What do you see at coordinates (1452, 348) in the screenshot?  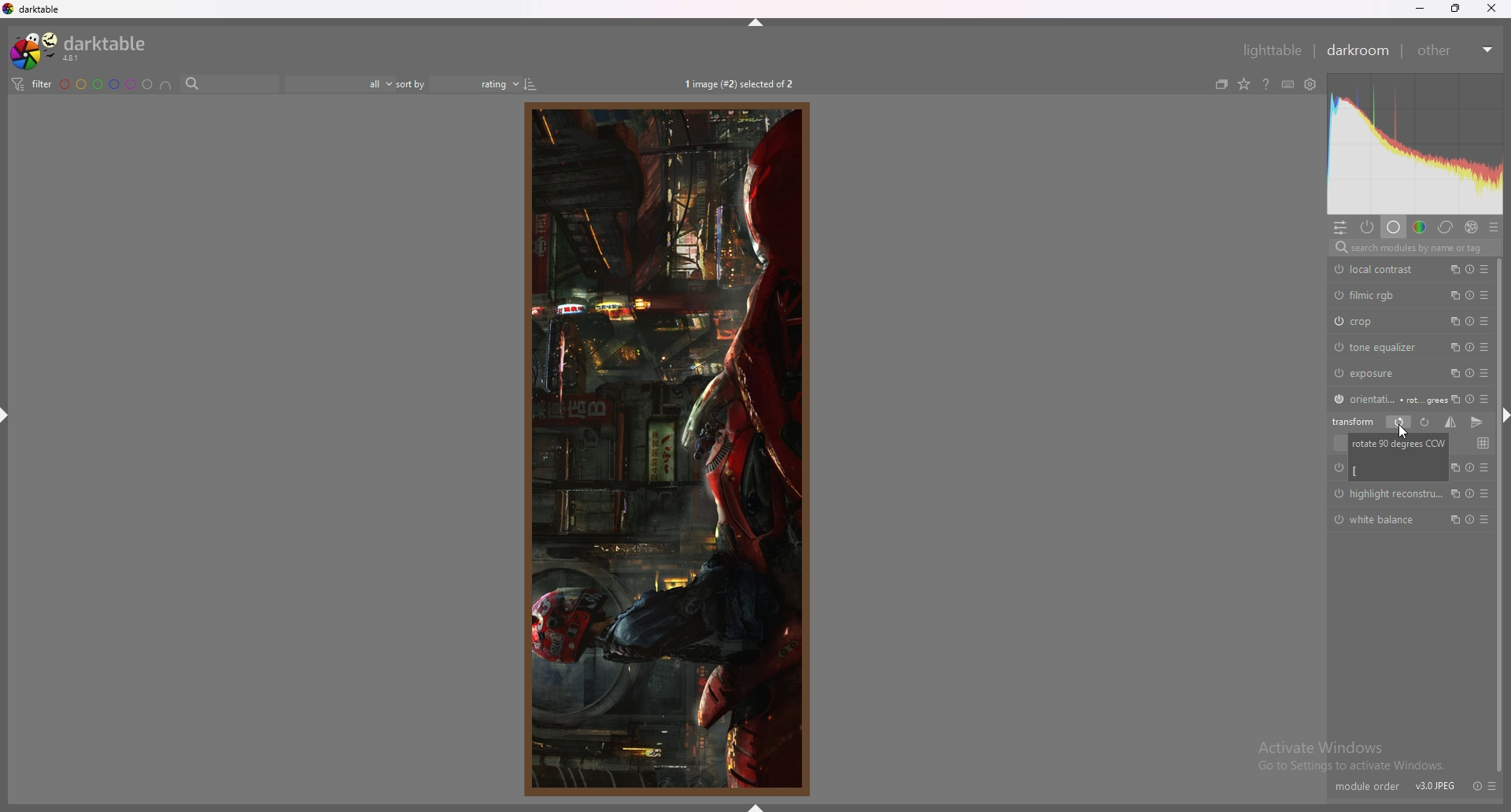 I see `multiple instances action` at bounding box center [1452, 348].